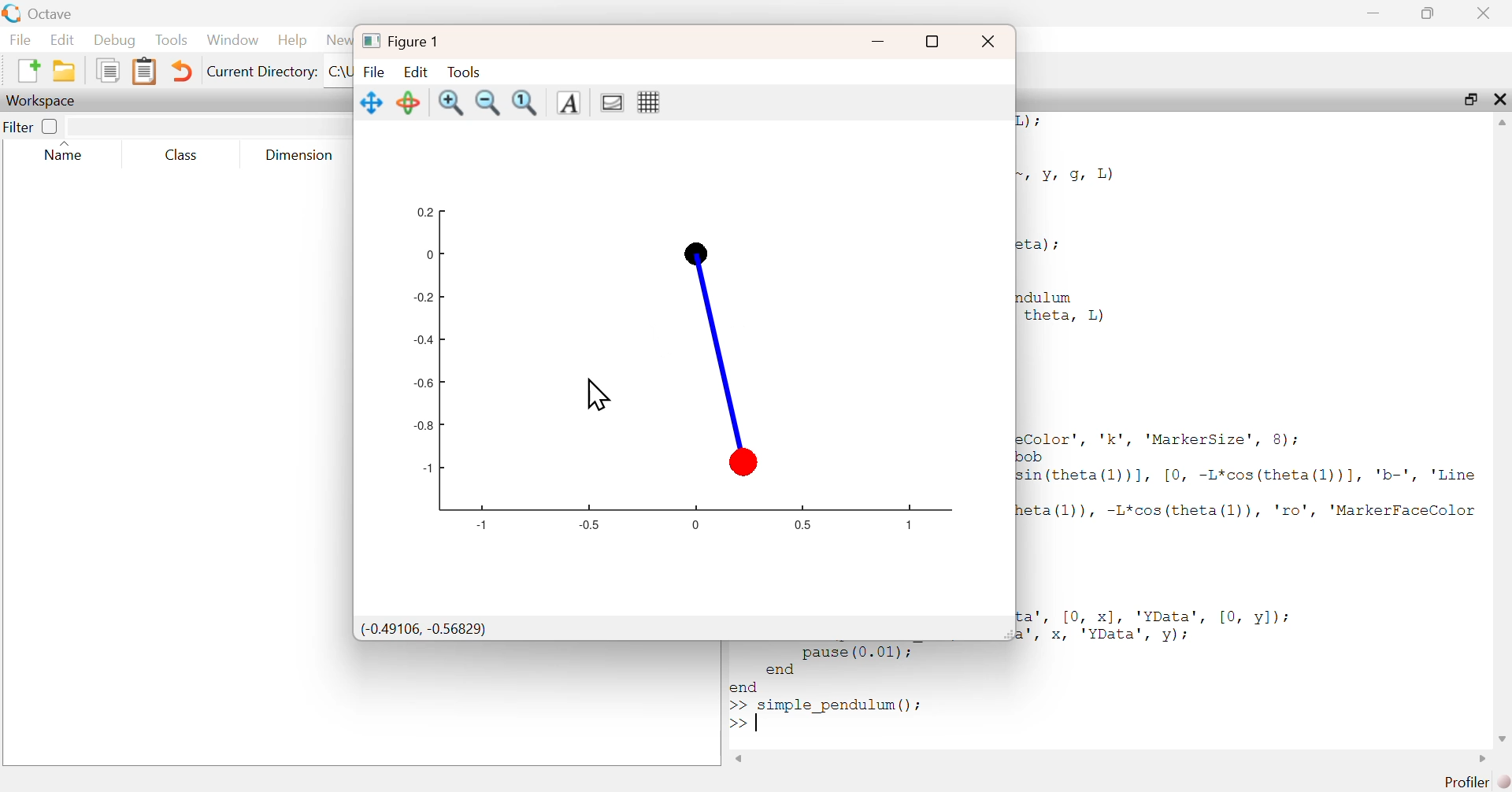  I want to click on Profiler, so click(1478, 783).